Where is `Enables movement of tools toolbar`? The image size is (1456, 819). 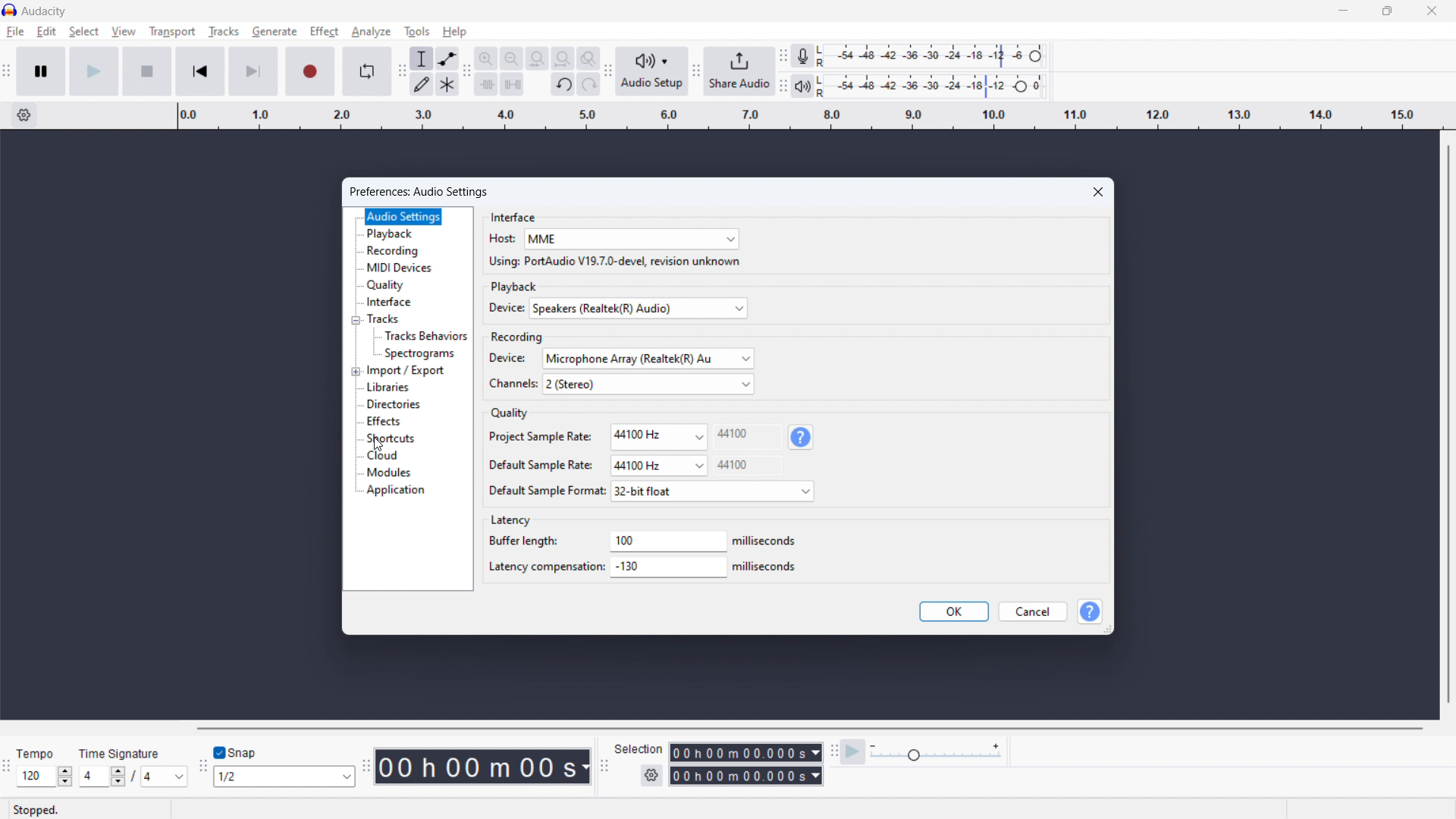 Enables movement of tools toolbar is located at coordinates (403, 71).